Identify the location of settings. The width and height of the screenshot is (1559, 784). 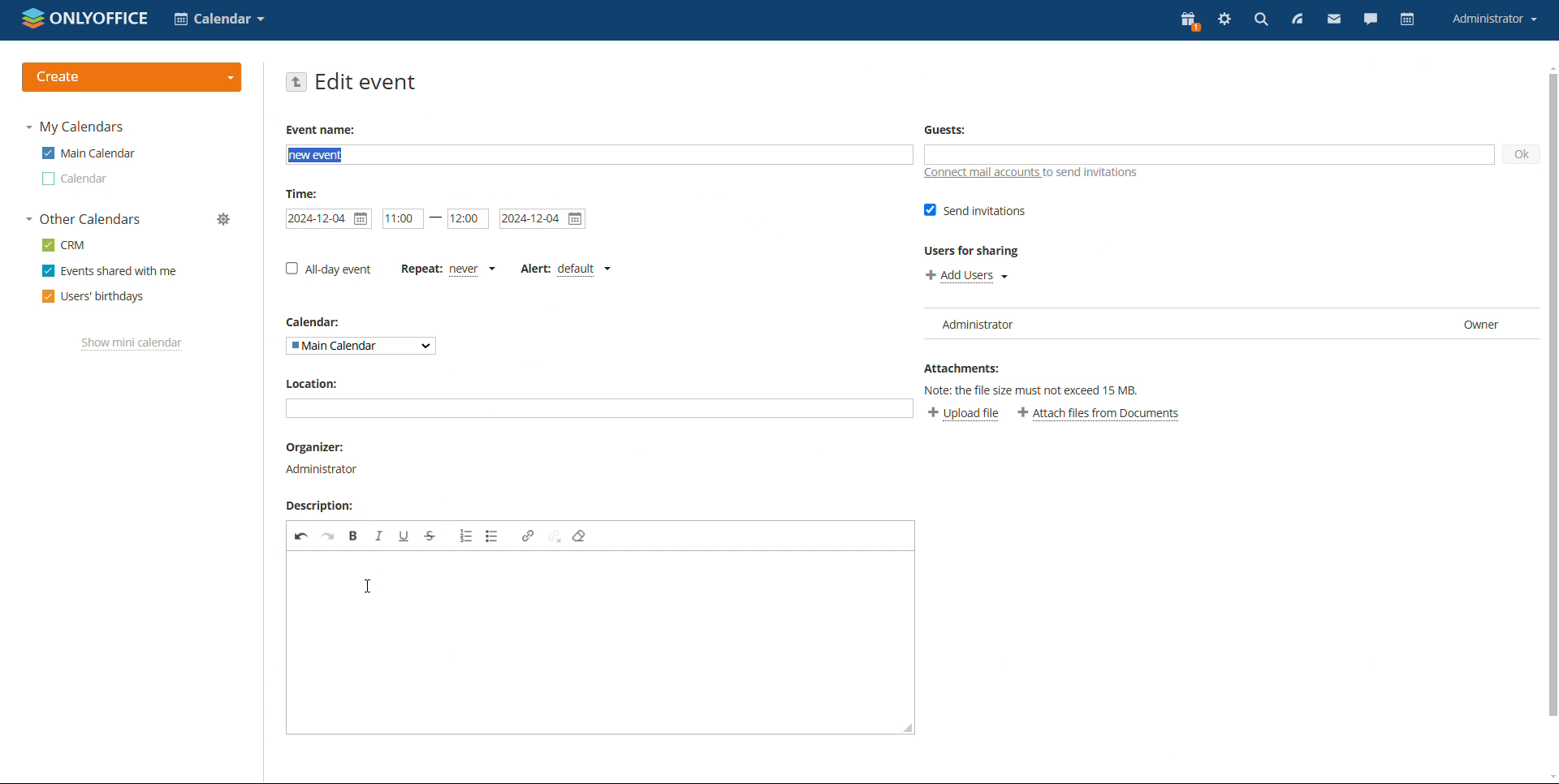
(1223, 21).